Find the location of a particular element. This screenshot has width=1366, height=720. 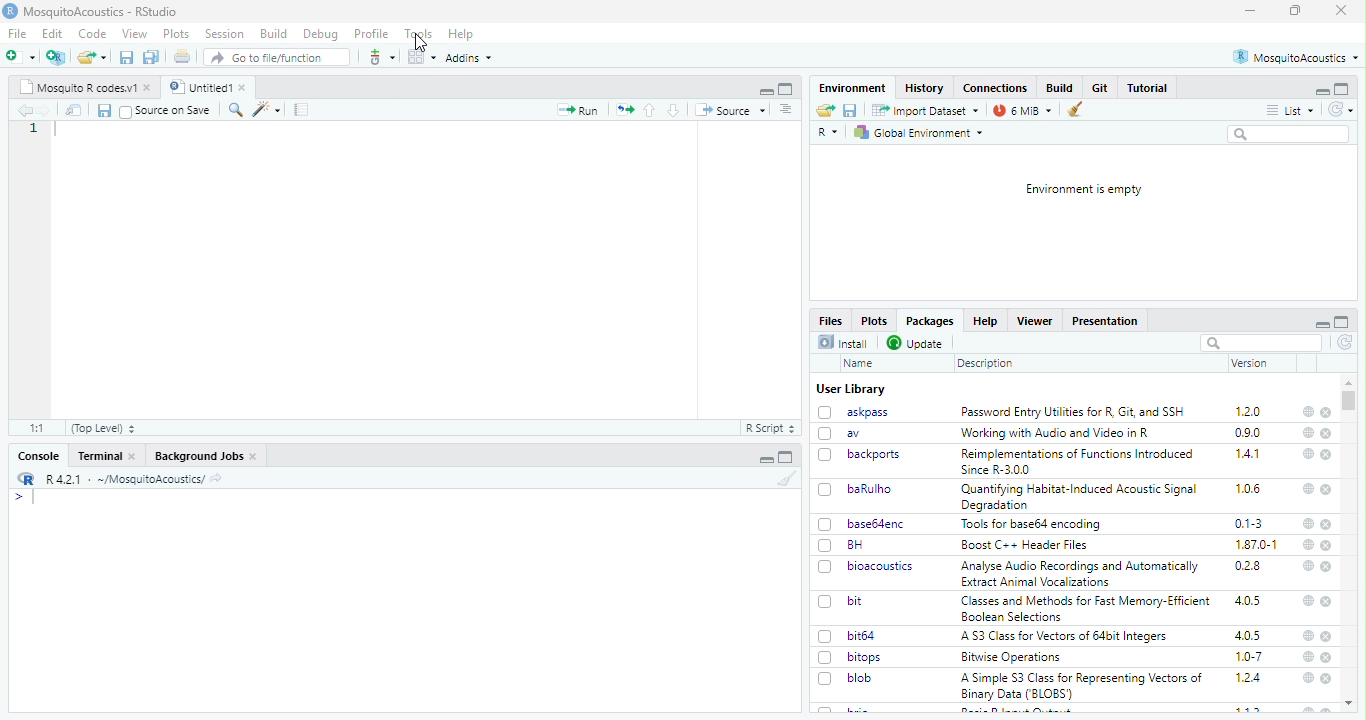

backward is located at coordinates (24, 110).